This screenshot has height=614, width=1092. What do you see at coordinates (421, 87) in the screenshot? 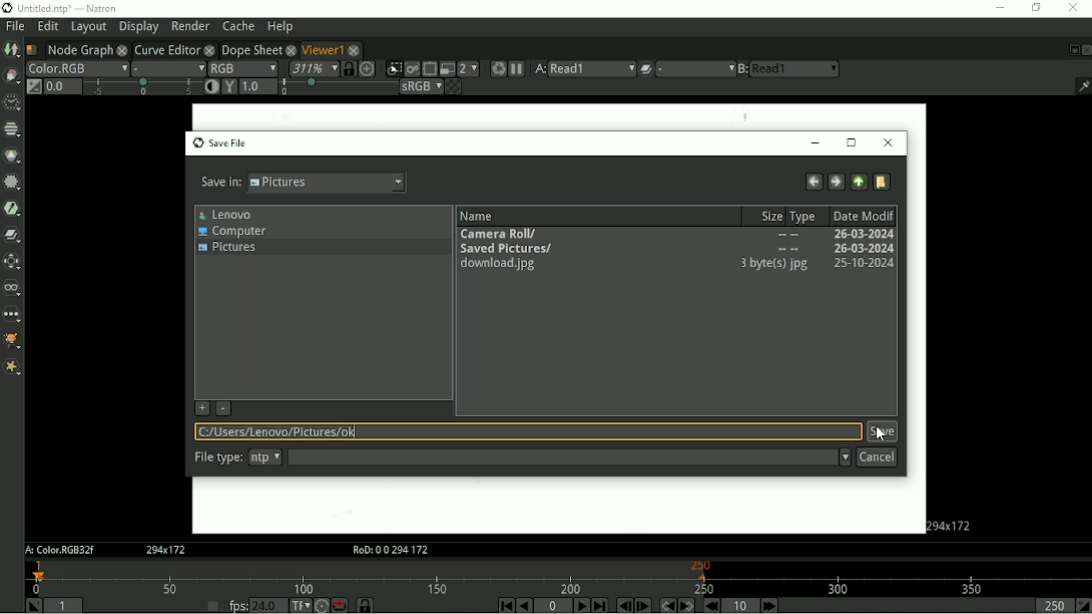
I see `Viewer color process` at bounding box center [421, 87].